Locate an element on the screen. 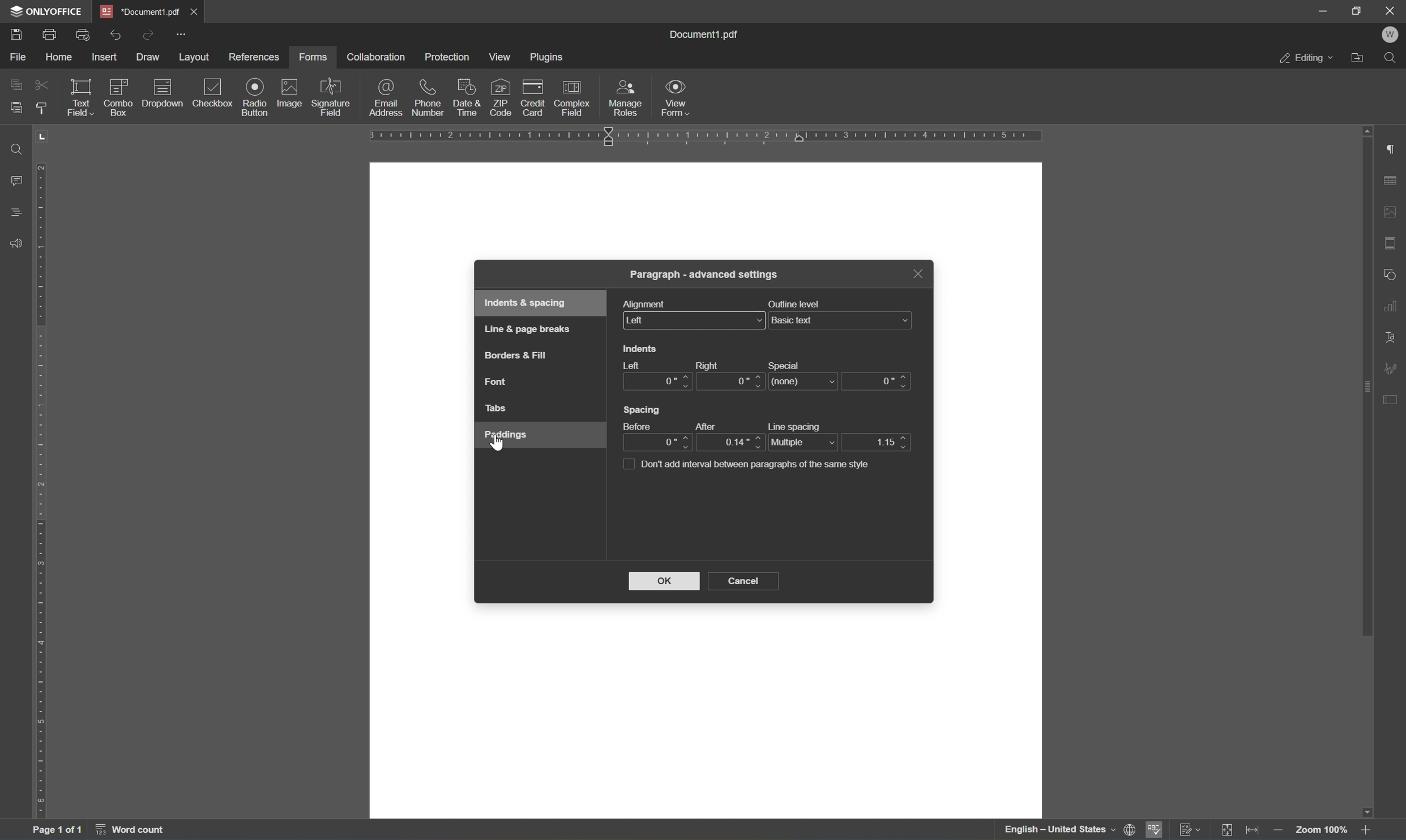 The height and width of the screenshot is (840, 1406). home is located at coordinates (61, 57).